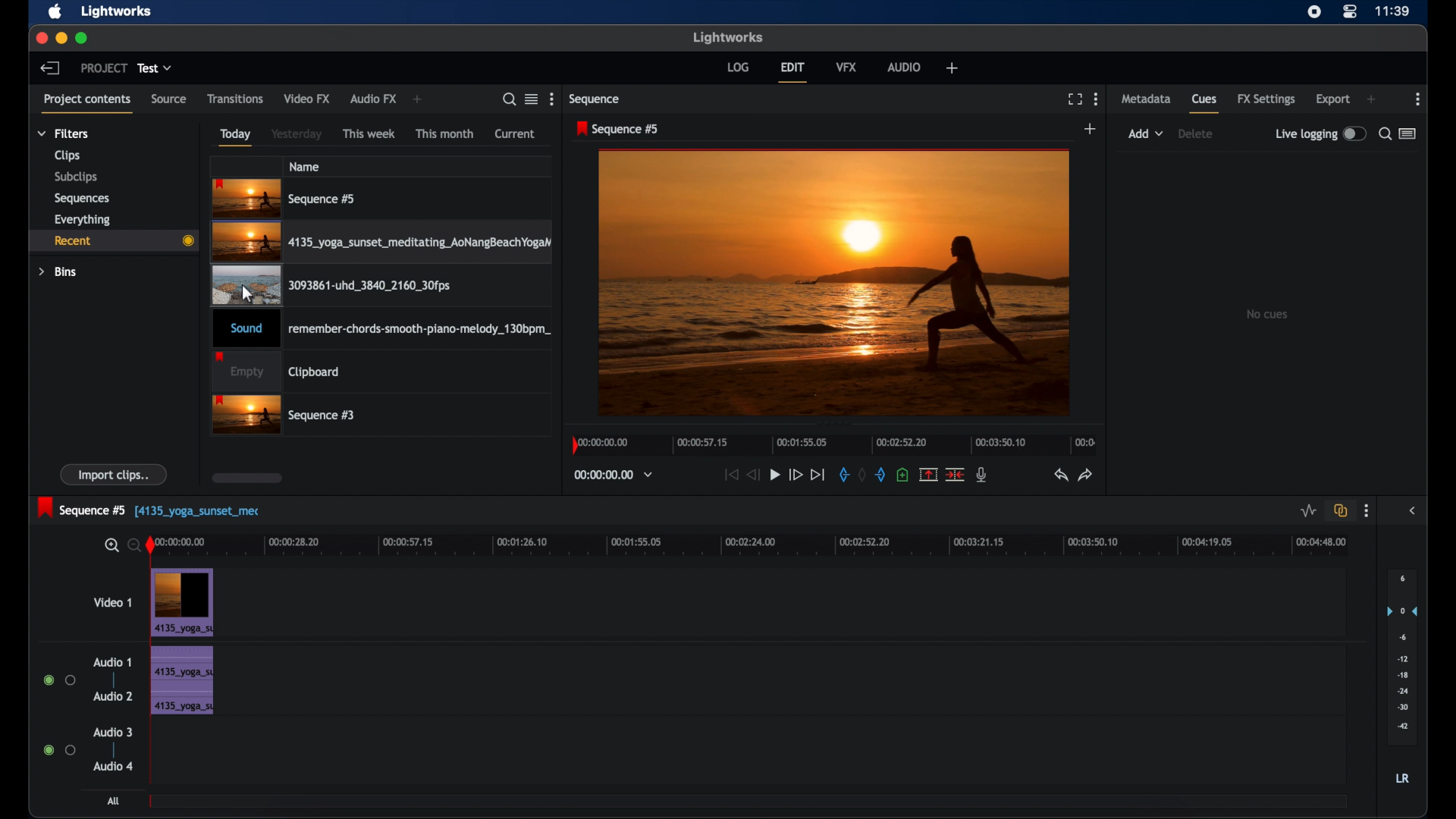 This screenshot has height=819, width=1456. I want to click on audio 4, so click(111, 767).